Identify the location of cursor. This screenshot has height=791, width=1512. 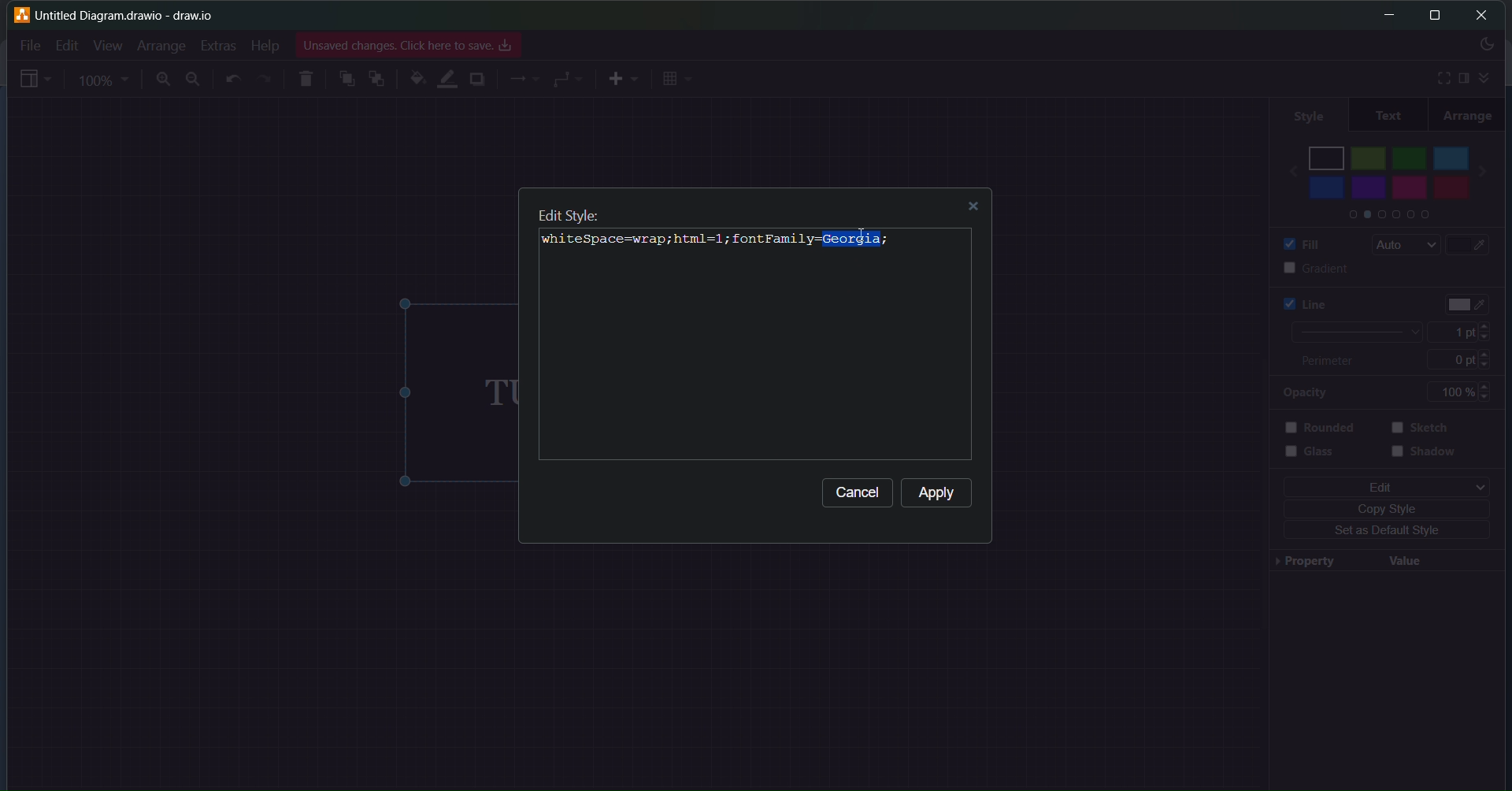
(861, 239).